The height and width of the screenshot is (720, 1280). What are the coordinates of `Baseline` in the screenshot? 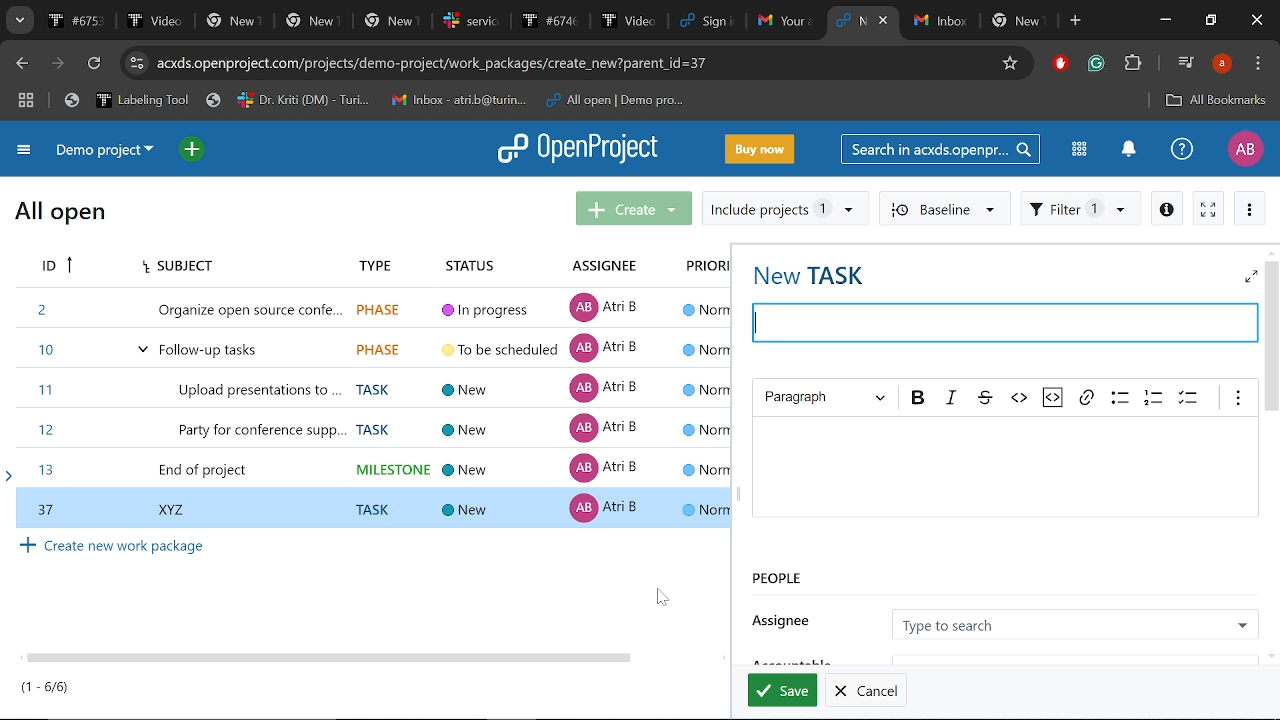 It's located at (943, 207).